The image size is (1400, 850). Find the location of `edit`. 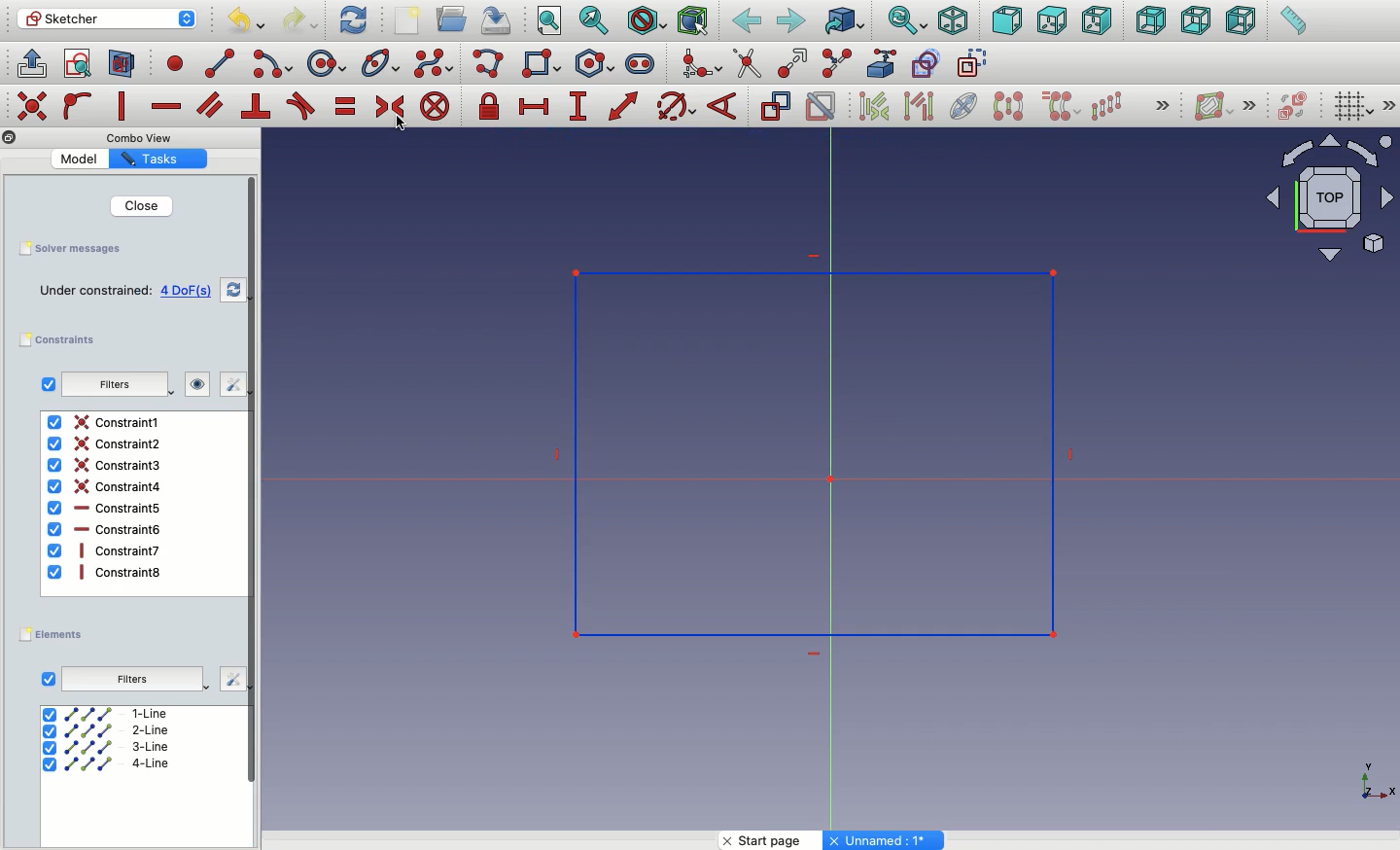

edit is located at coordinates (225, 384).